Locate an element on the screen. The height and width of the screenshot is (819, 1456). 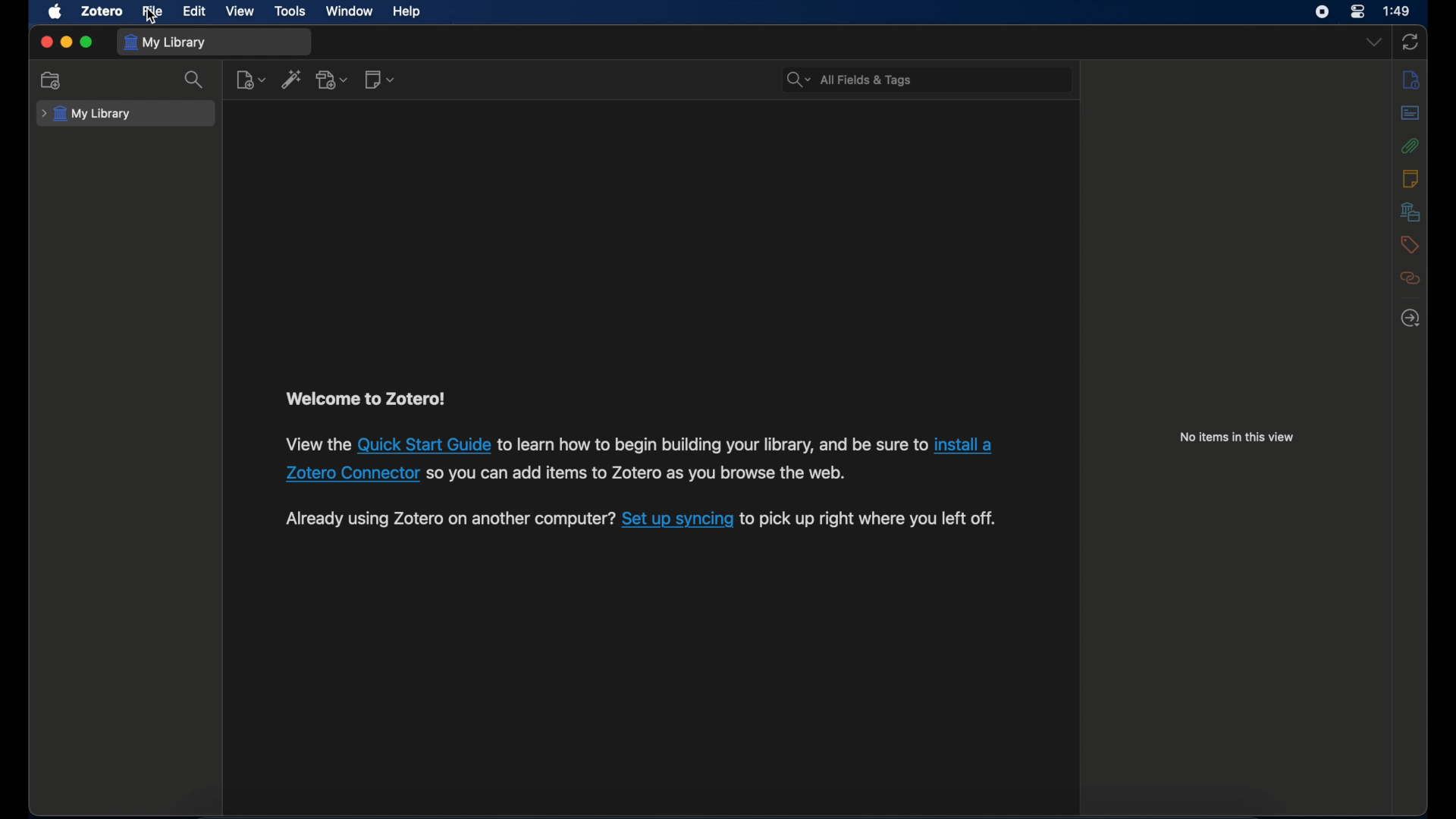
Zotero Connector is located at coordinates (350, 473).